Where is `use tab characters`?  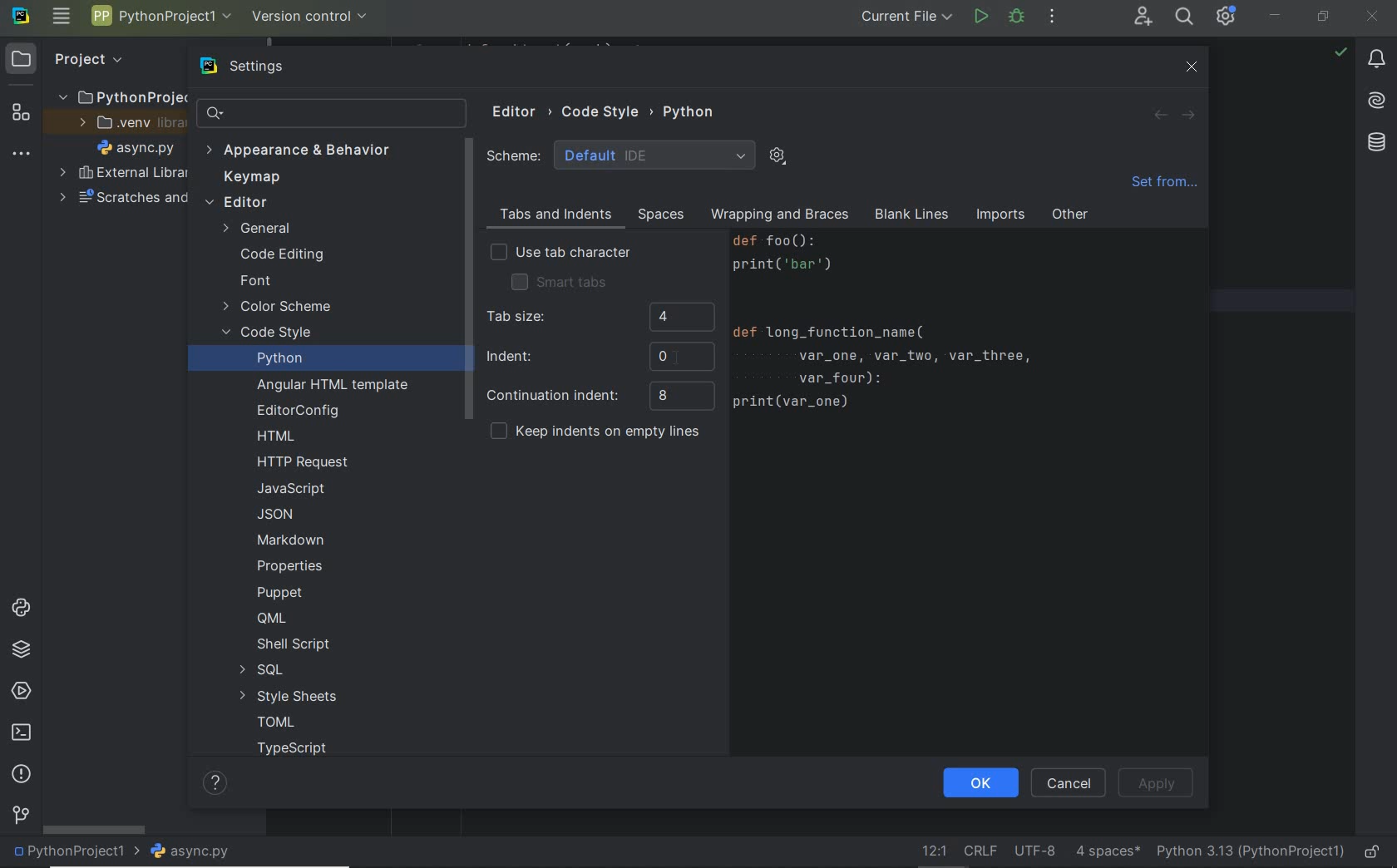 use tab characters is located at coordinates (560, 254).